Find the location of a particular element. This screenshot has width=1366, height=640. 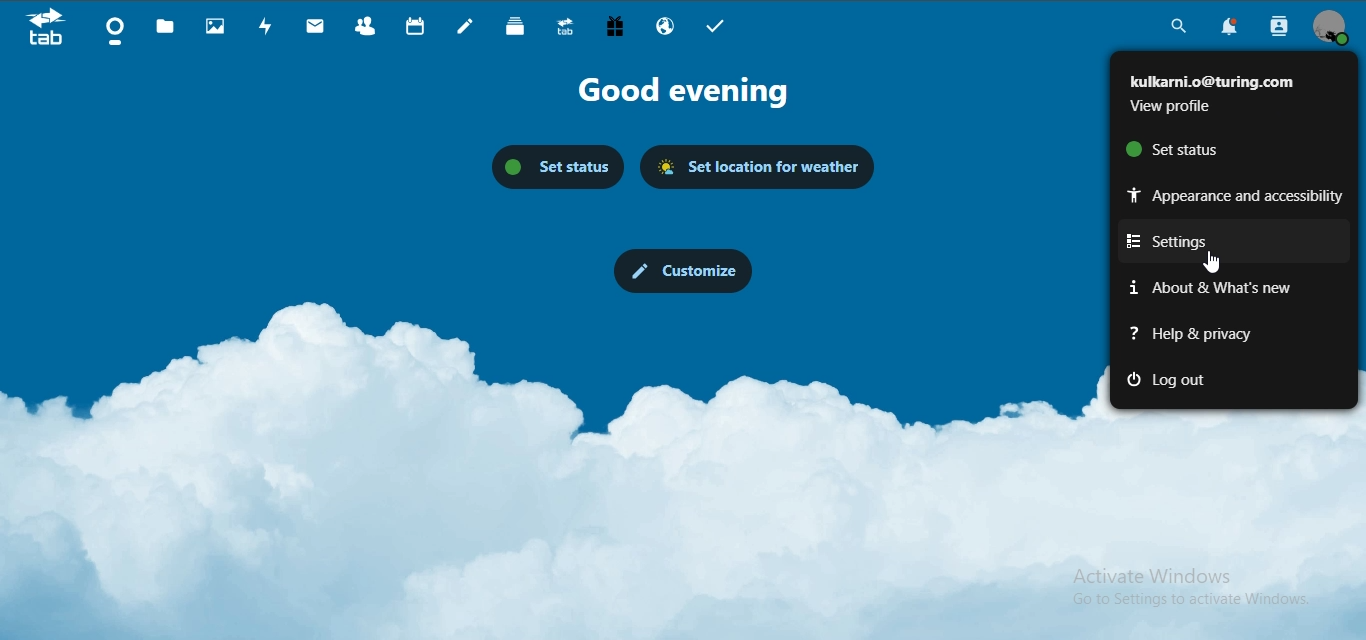

log out is located at coordinates (1198, 380).